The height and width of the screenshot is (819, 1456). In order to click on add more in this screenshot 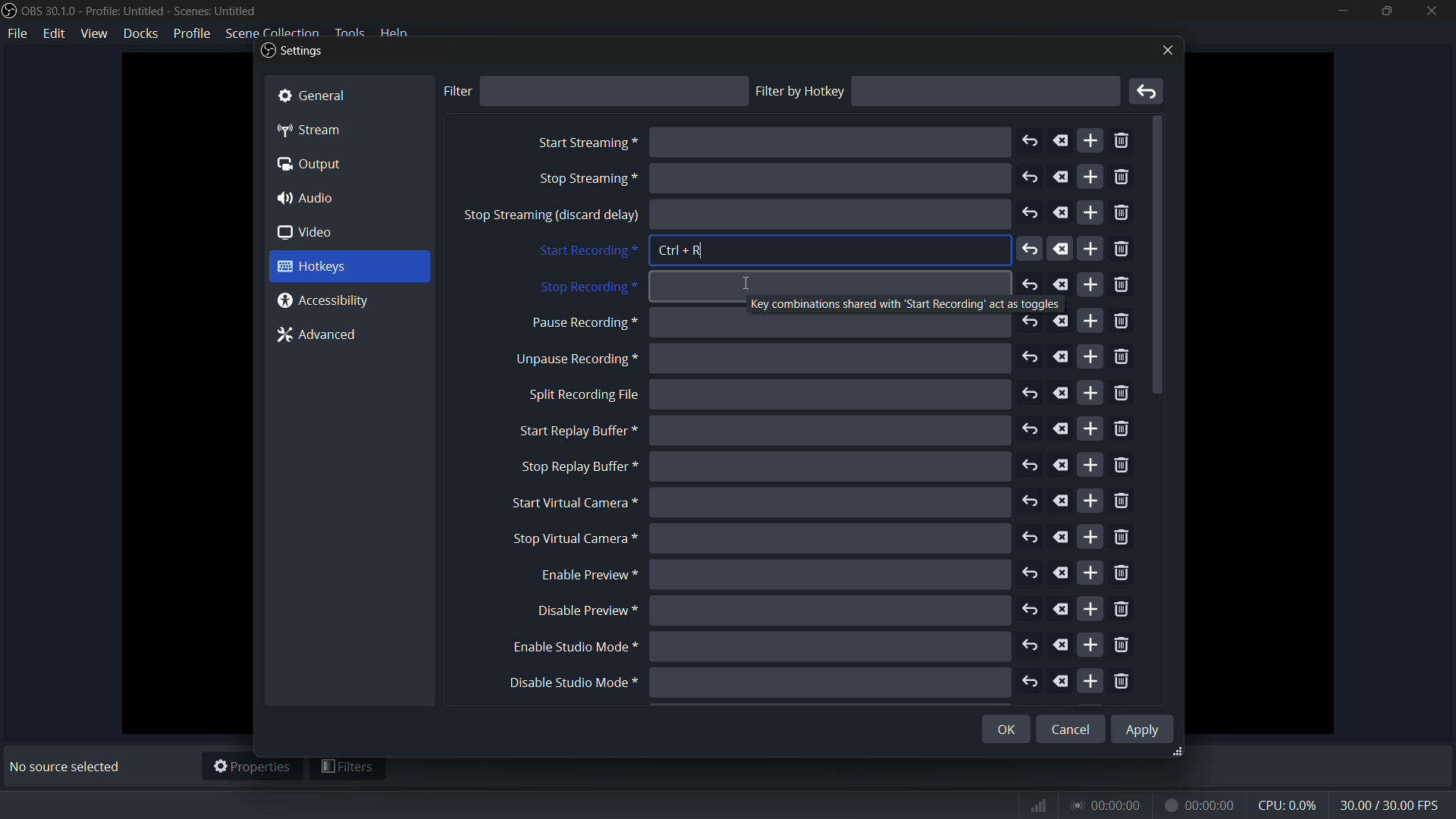, I will do `click(1090, 322)`.